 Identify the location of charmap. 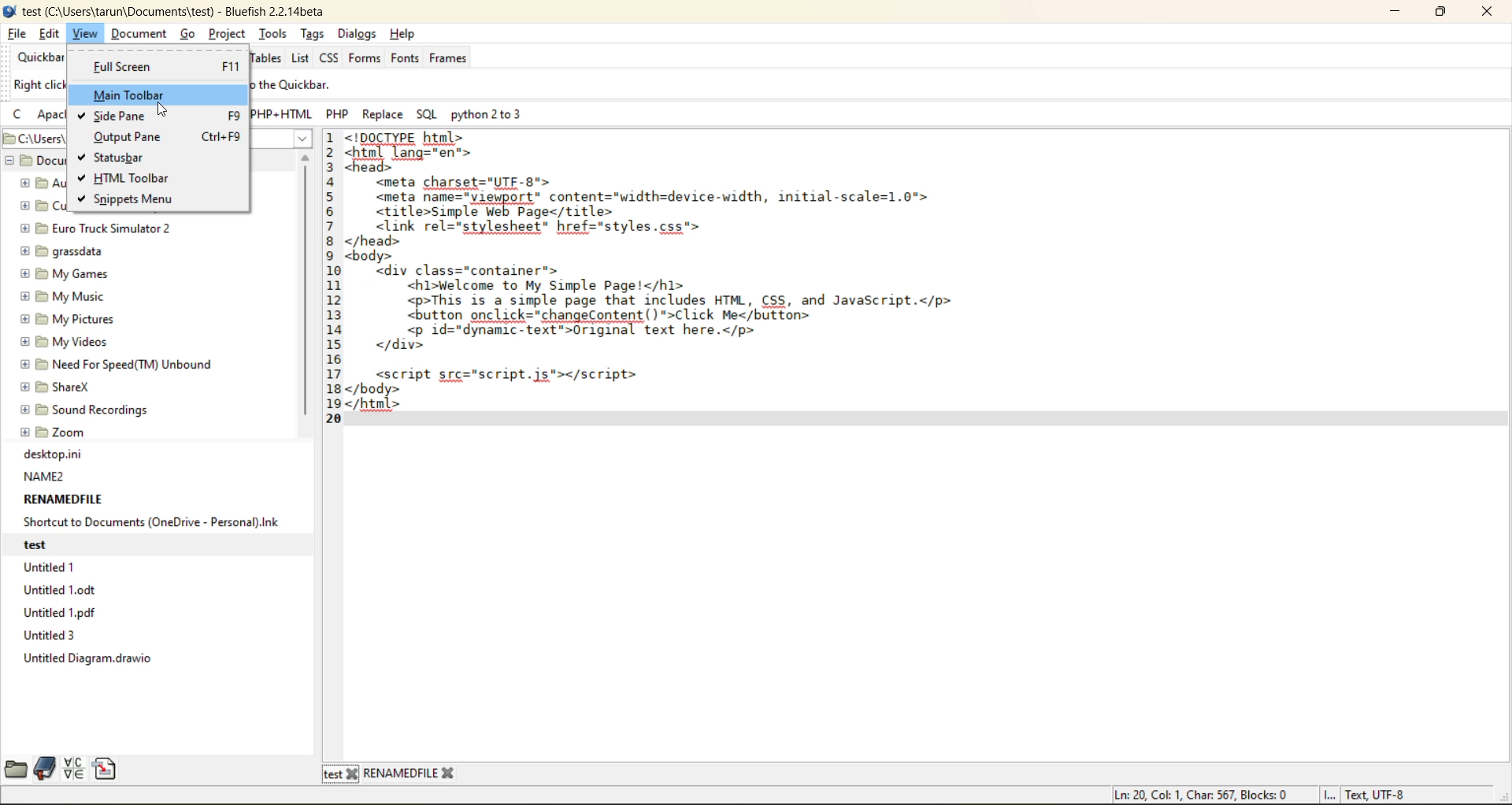
(73, 768).